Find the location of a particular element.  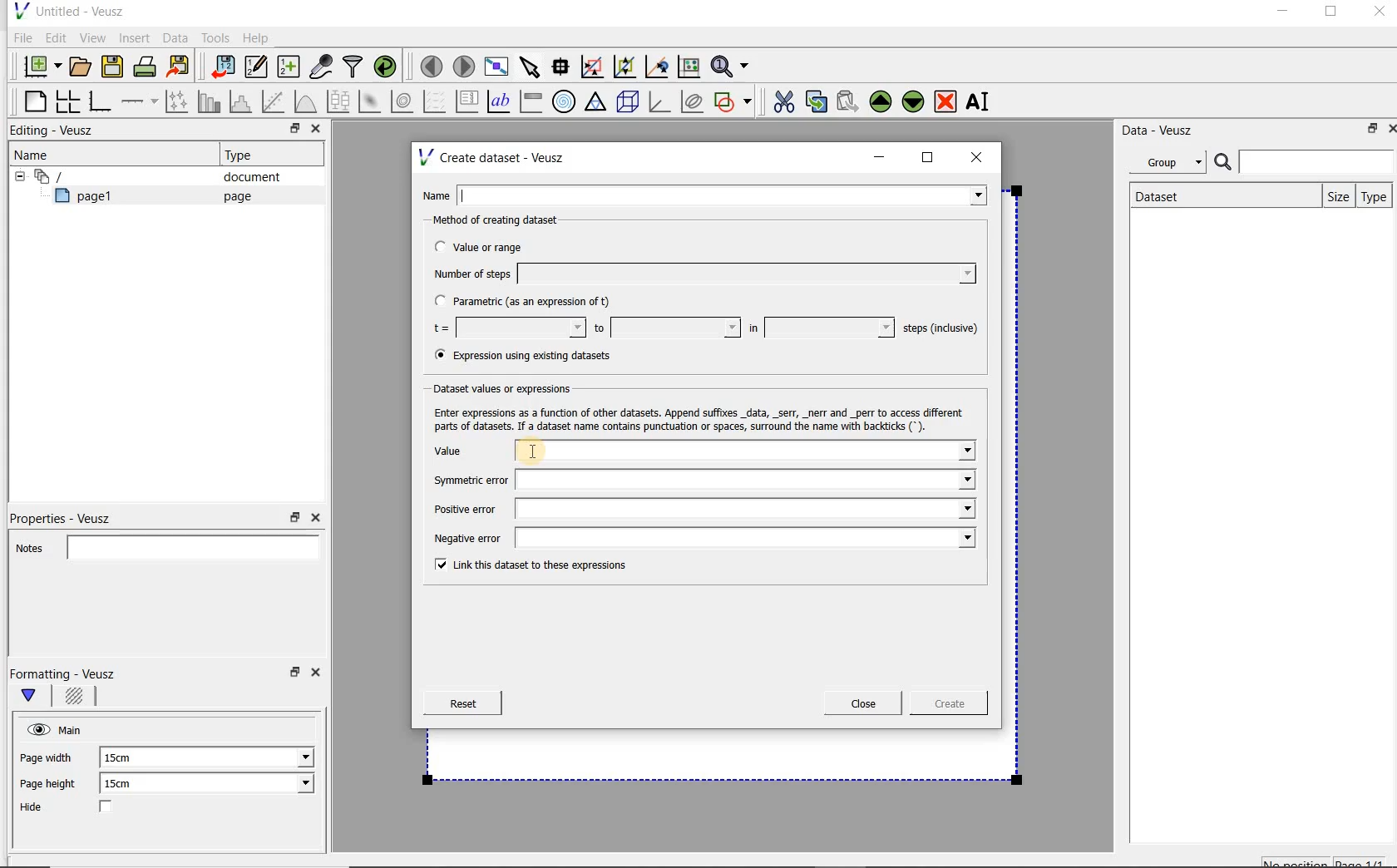

select items from the graph or scroll is located at coordinates (529, 65).